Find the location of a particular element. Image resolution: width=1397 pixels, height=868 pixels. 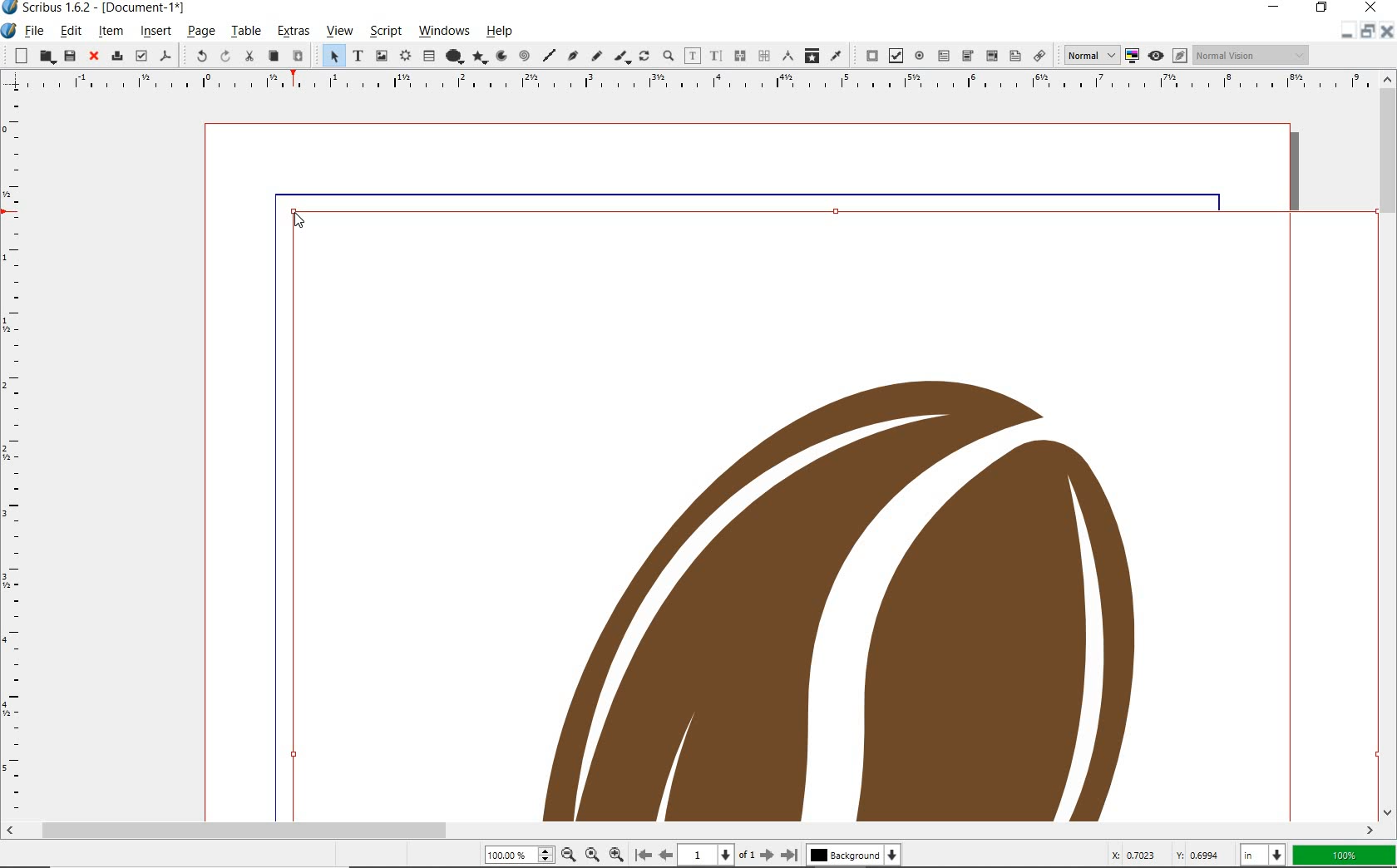

cursor coordinates is located at coordinates (1168, 856).